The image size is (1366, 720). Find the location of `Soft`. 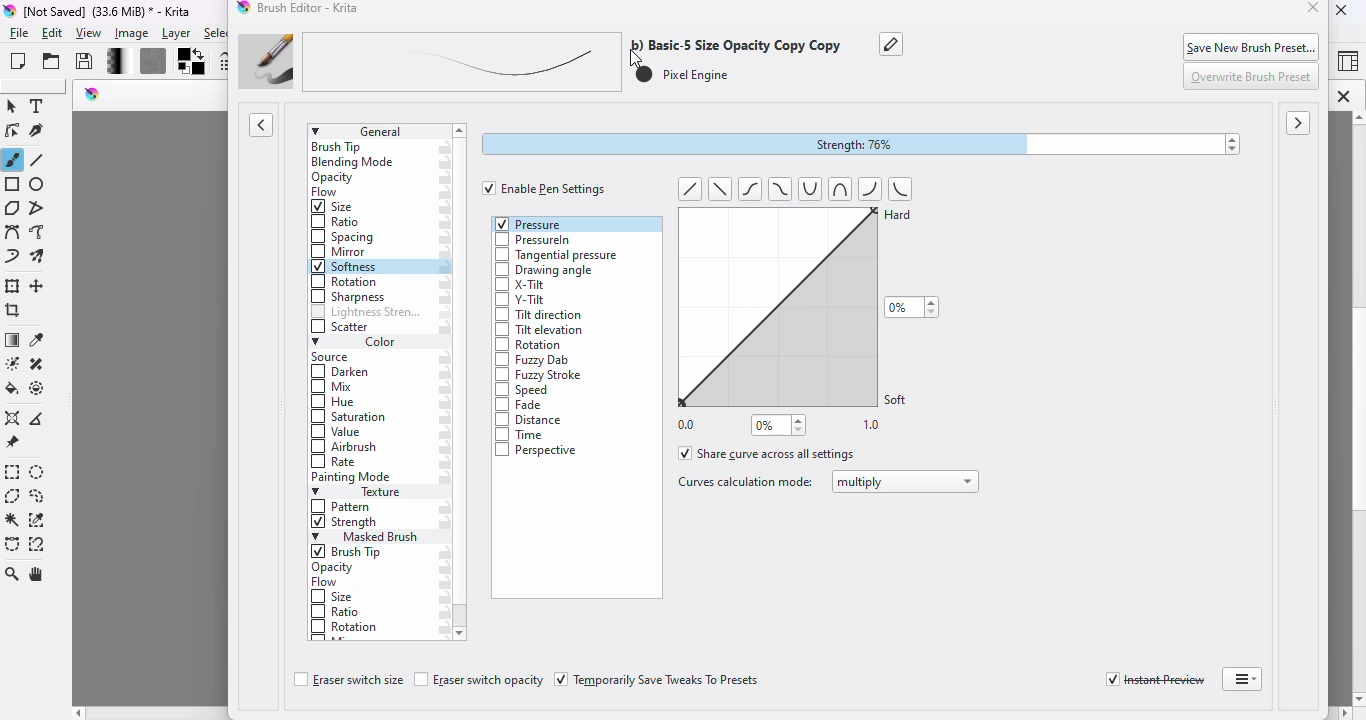

Soft is located at coordinates (898, 398).